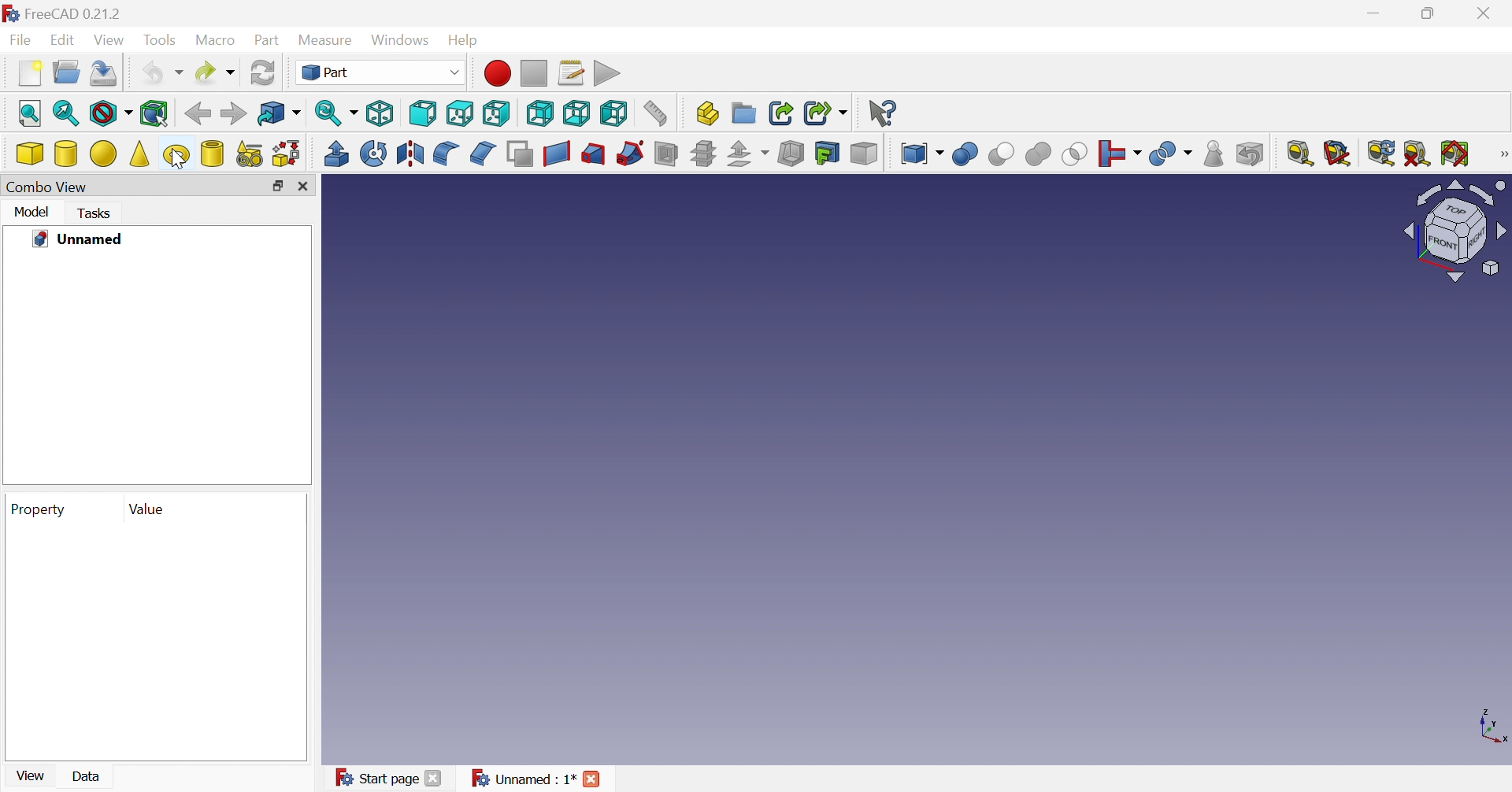 The image size is (1512, 792). What do you see at coordinates (161, 72) in the screenshot?
I see `Undo` at bounding box center [161, 72].